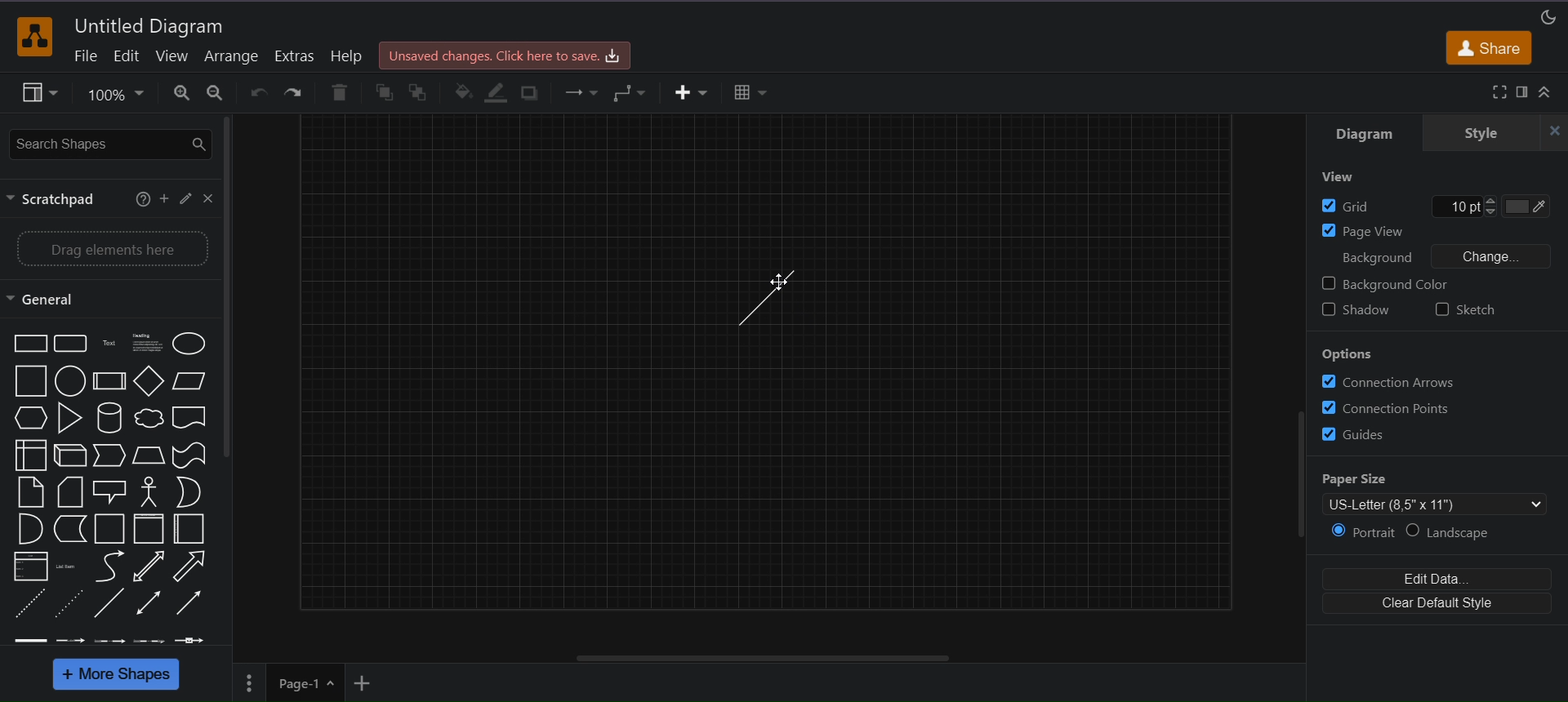  Describe the element at coordinates (1439, 577) in the screenshot. I see `edit data` at that location.